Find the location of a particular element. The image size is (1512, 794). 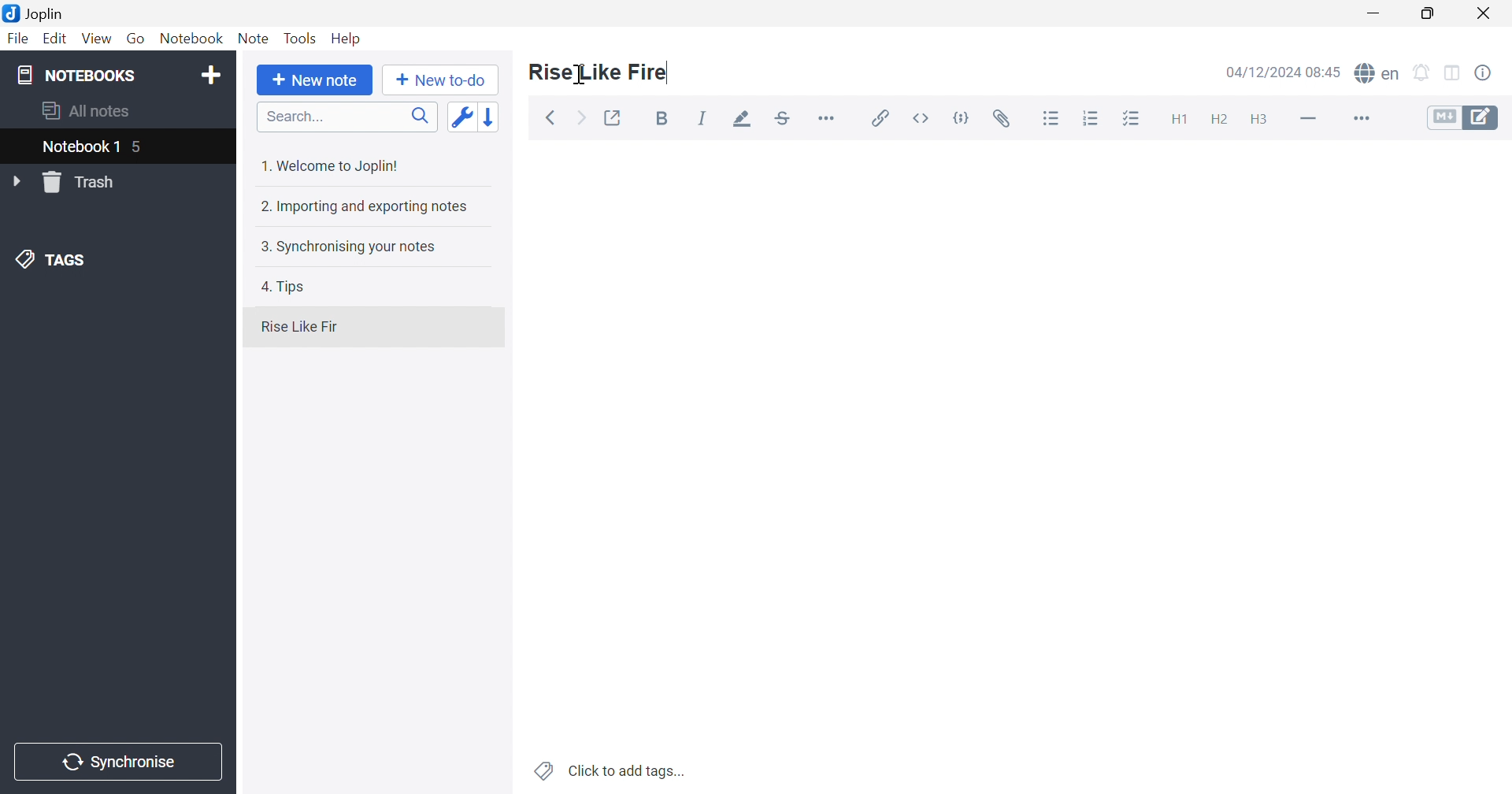

Close is located at coordinates (1486, 12).